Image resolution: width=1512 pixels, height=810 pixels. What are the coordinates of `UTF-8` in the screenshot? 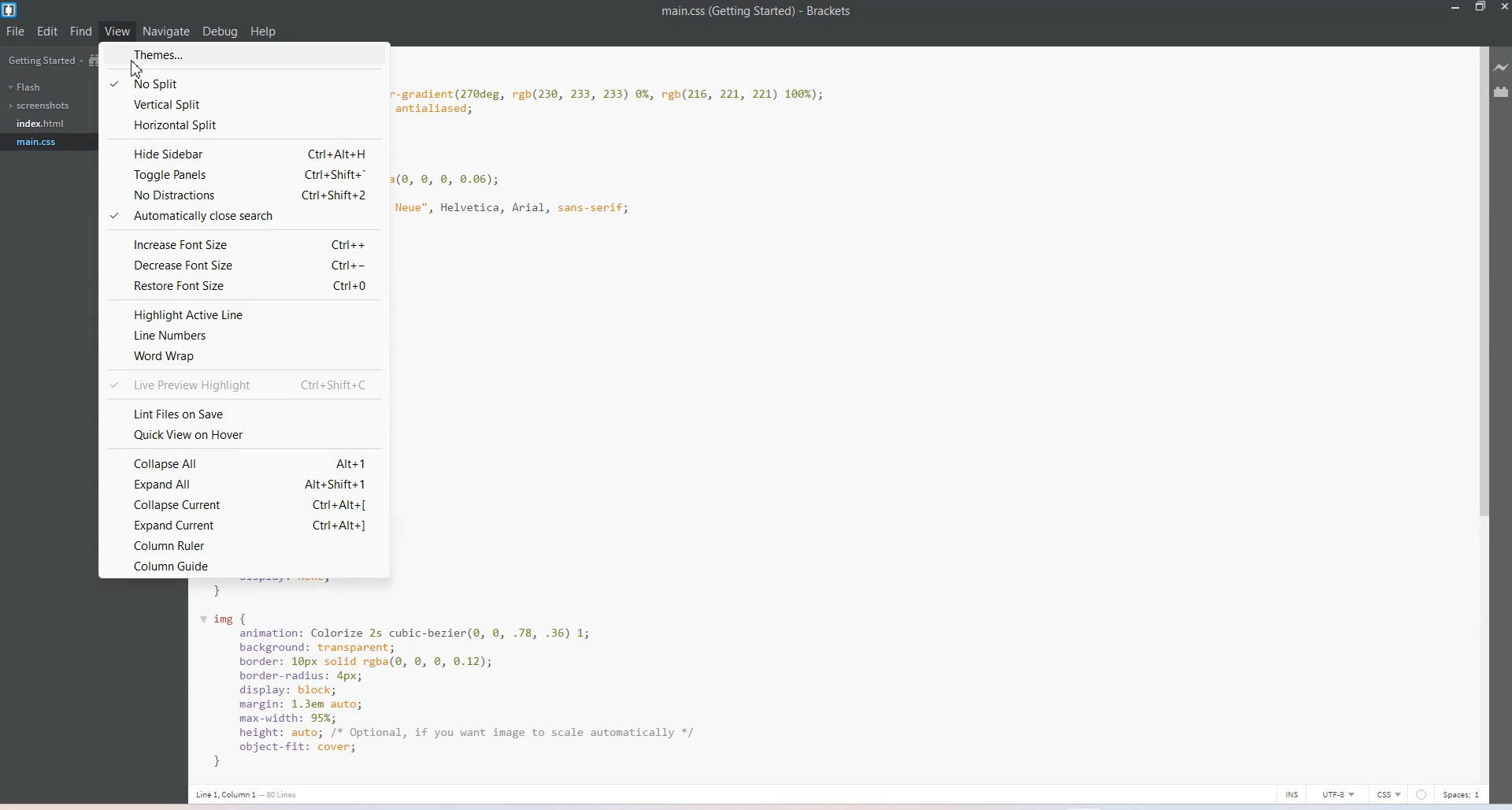 It's located at (1340, 794).